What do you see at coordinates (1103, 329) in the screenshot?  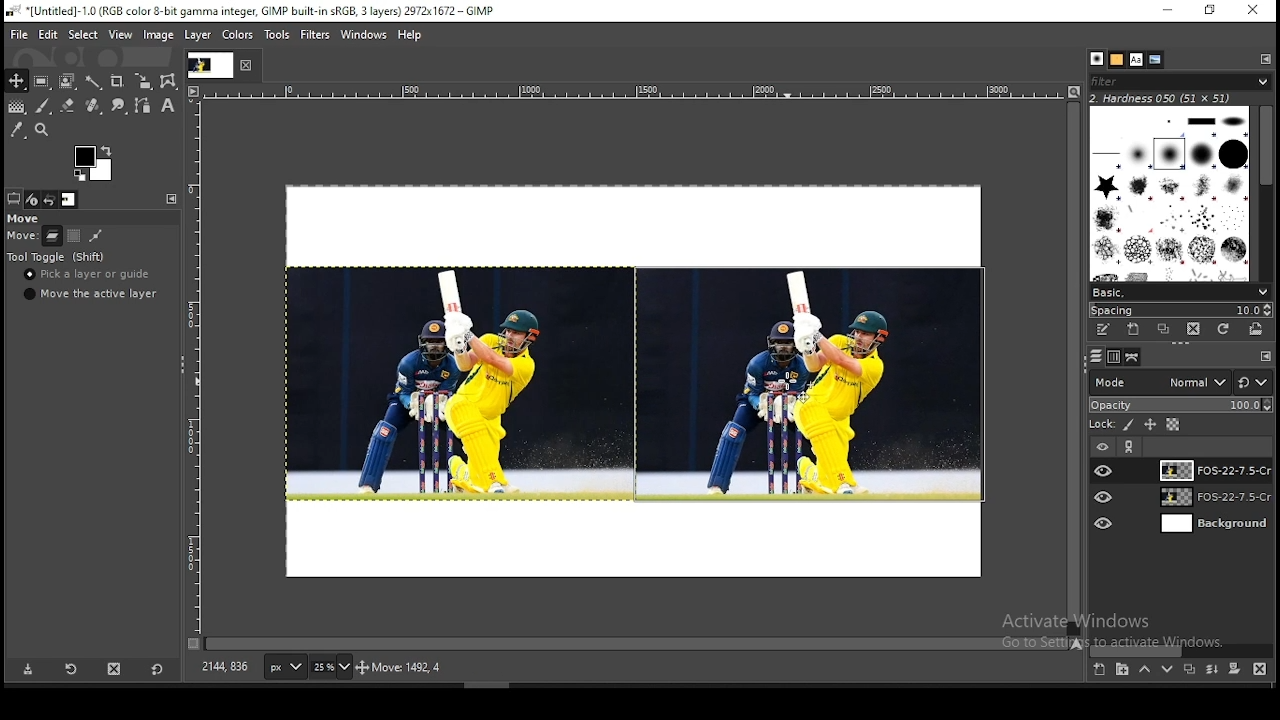 I see `edit this brush` at bounding box center [1103, 329].